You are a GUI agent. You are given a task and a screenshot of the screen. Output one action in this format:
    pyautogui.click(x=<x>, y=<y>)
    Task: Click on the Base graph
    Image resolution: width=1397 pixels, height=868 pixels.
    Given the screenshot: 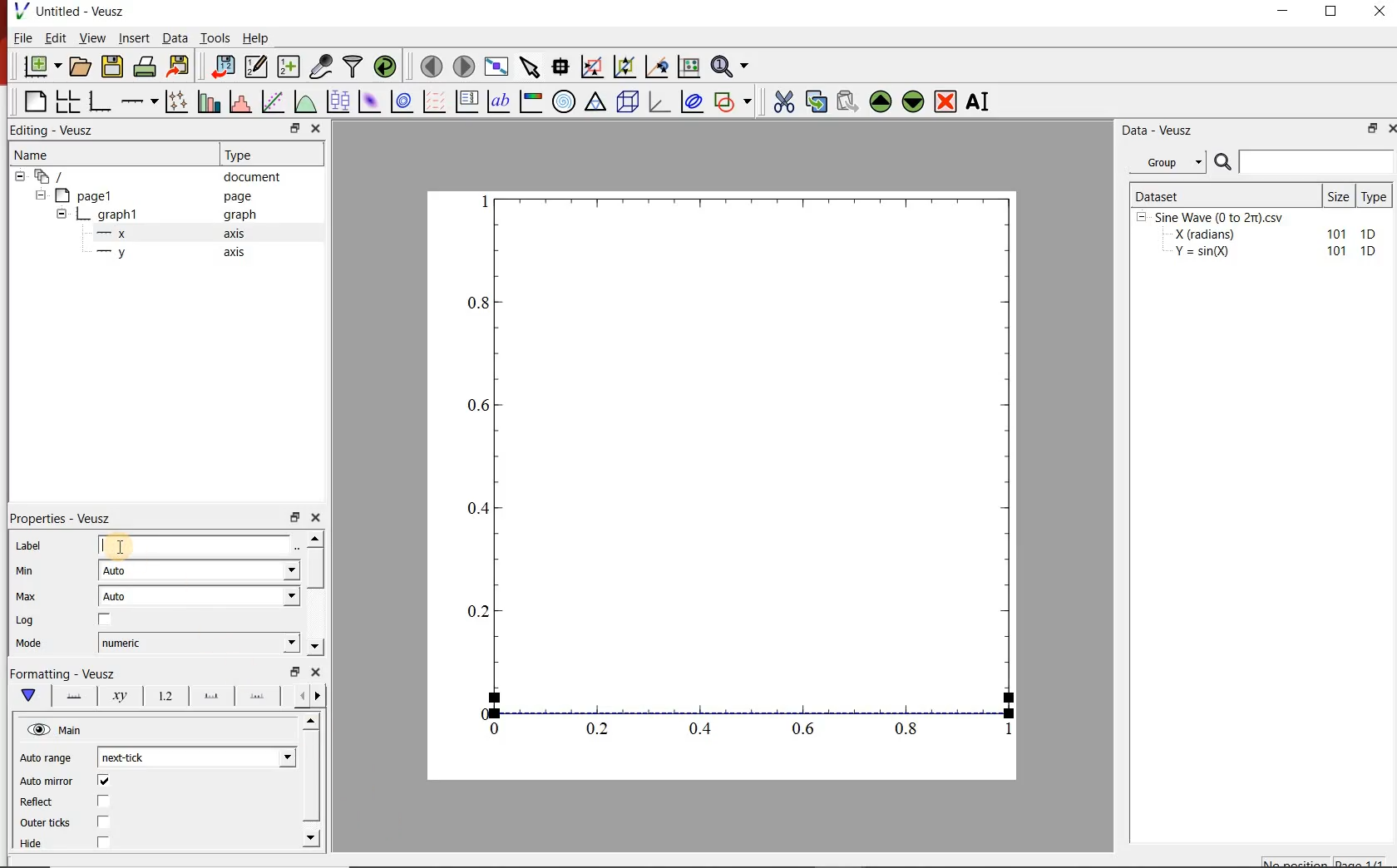 What is the action you would take?
    pyautogui.click(x=101, y=101)
    